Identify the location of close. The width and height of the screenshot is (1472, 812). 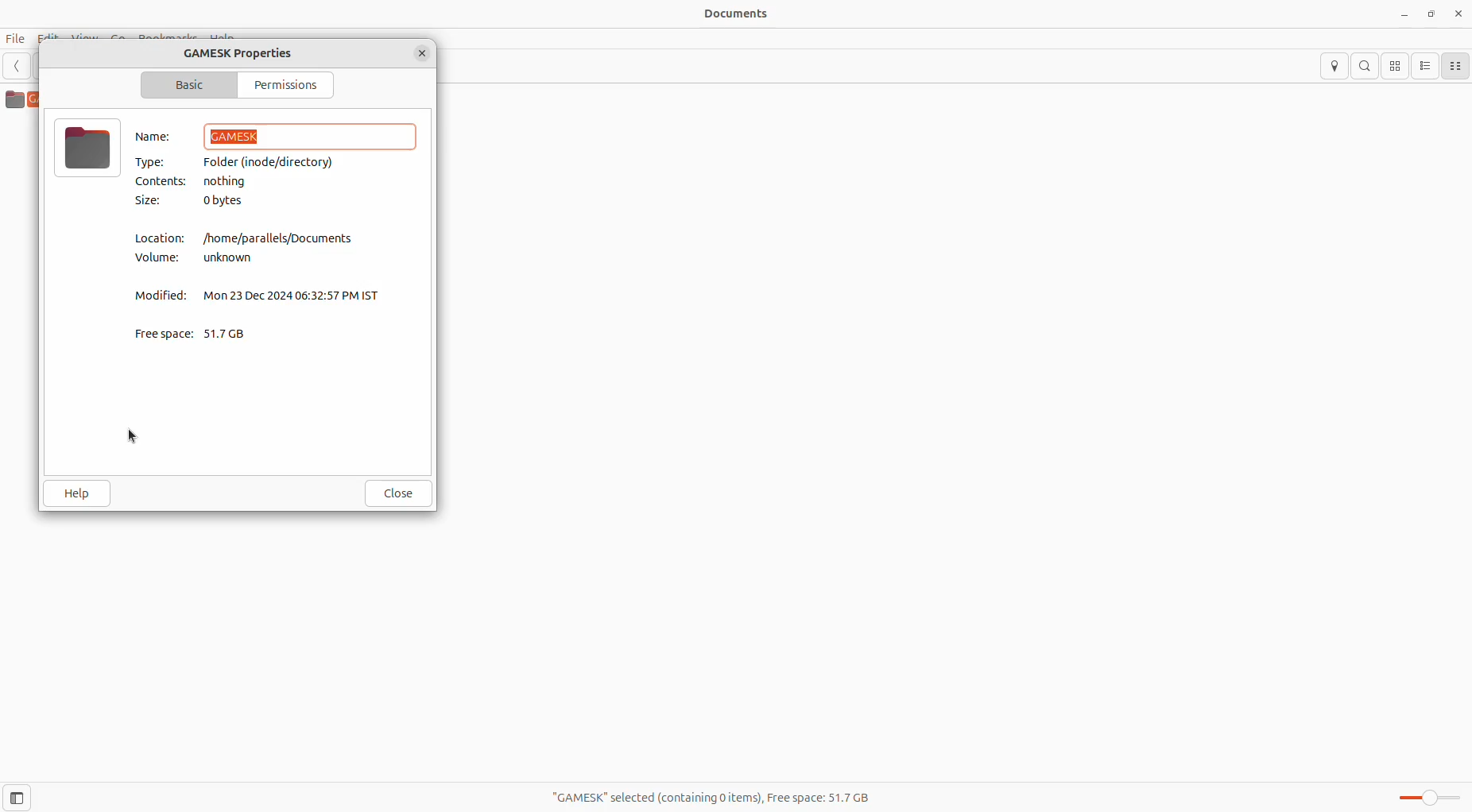
(424, 55).